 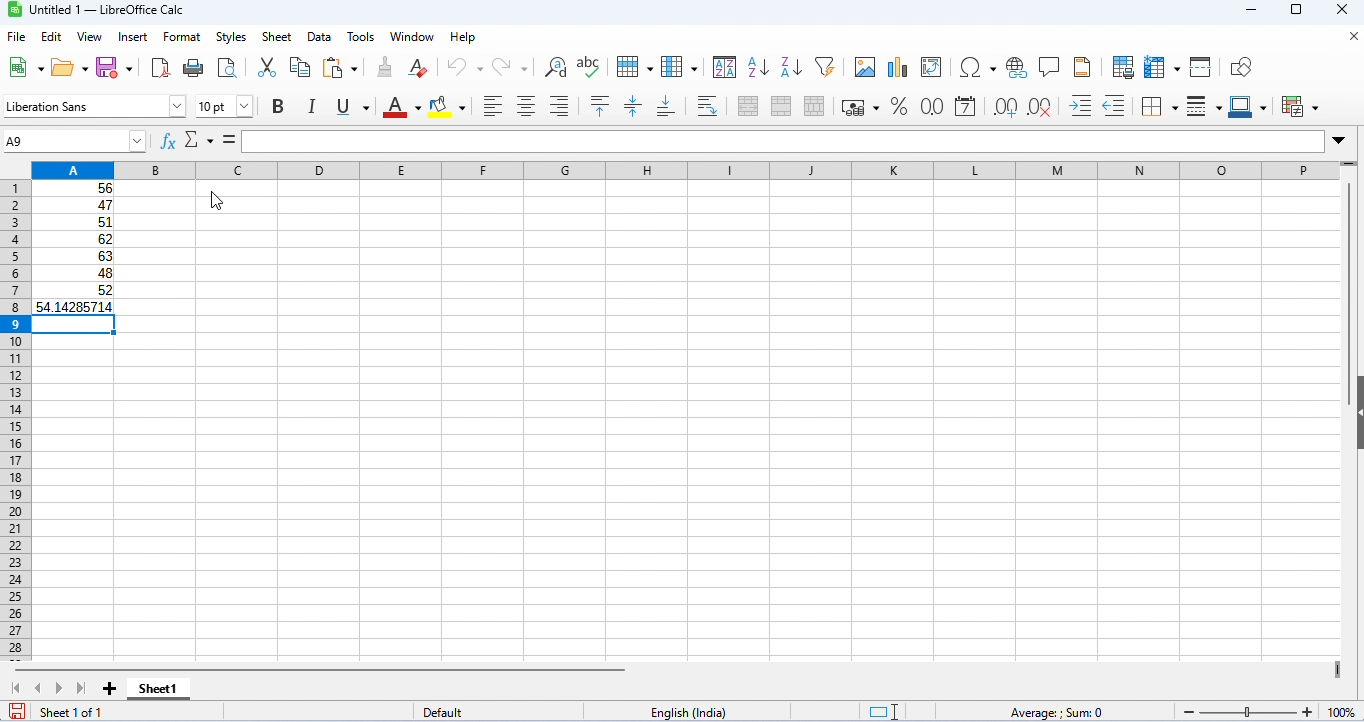 I want to click on add decimal place, so click(x=1004, y=107).